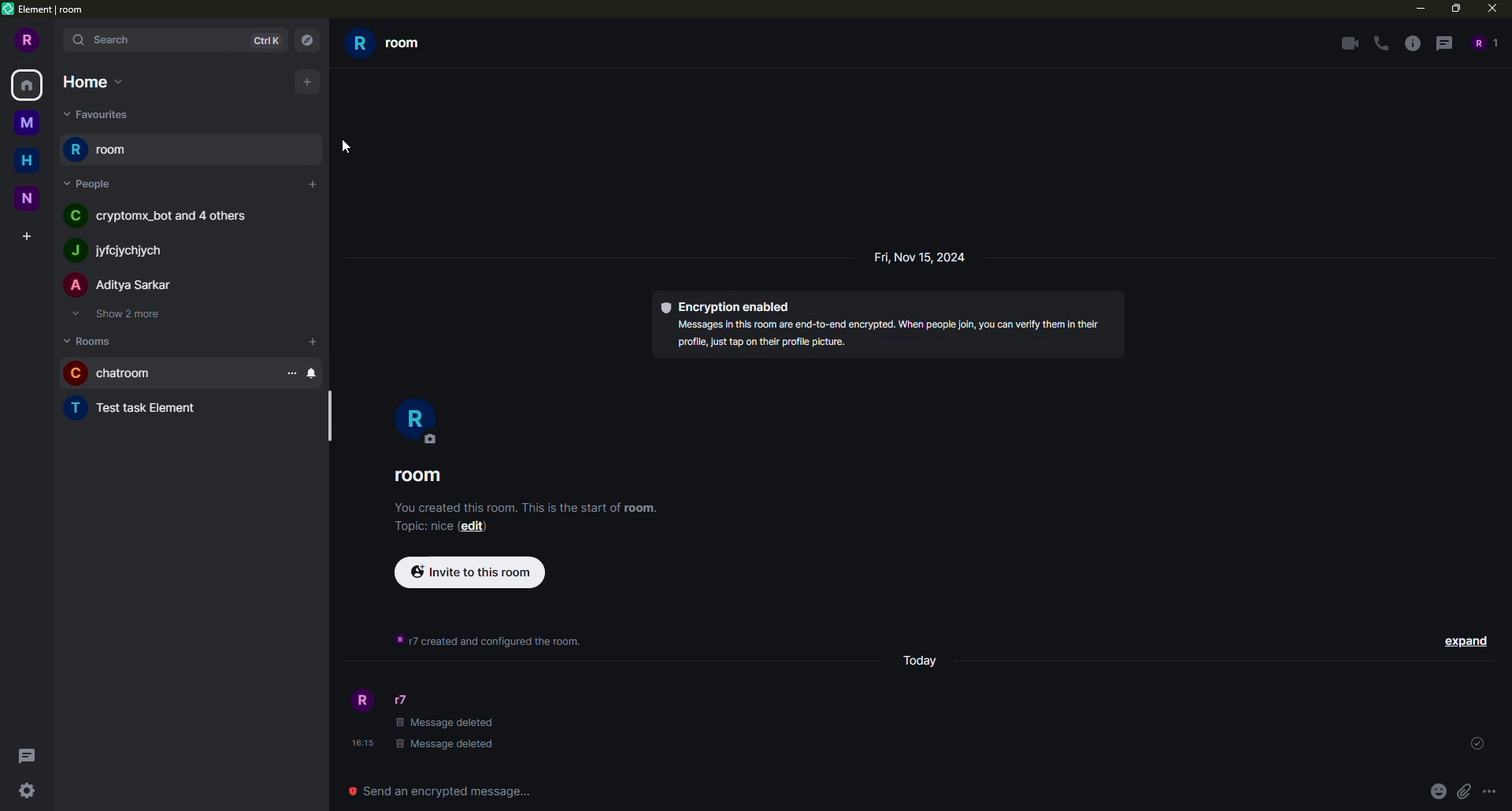 The width and height of the screenshot is (1512, 811). Describe the element at coordinates (91, 343) in the screenshot. I see `rooms` at that location.